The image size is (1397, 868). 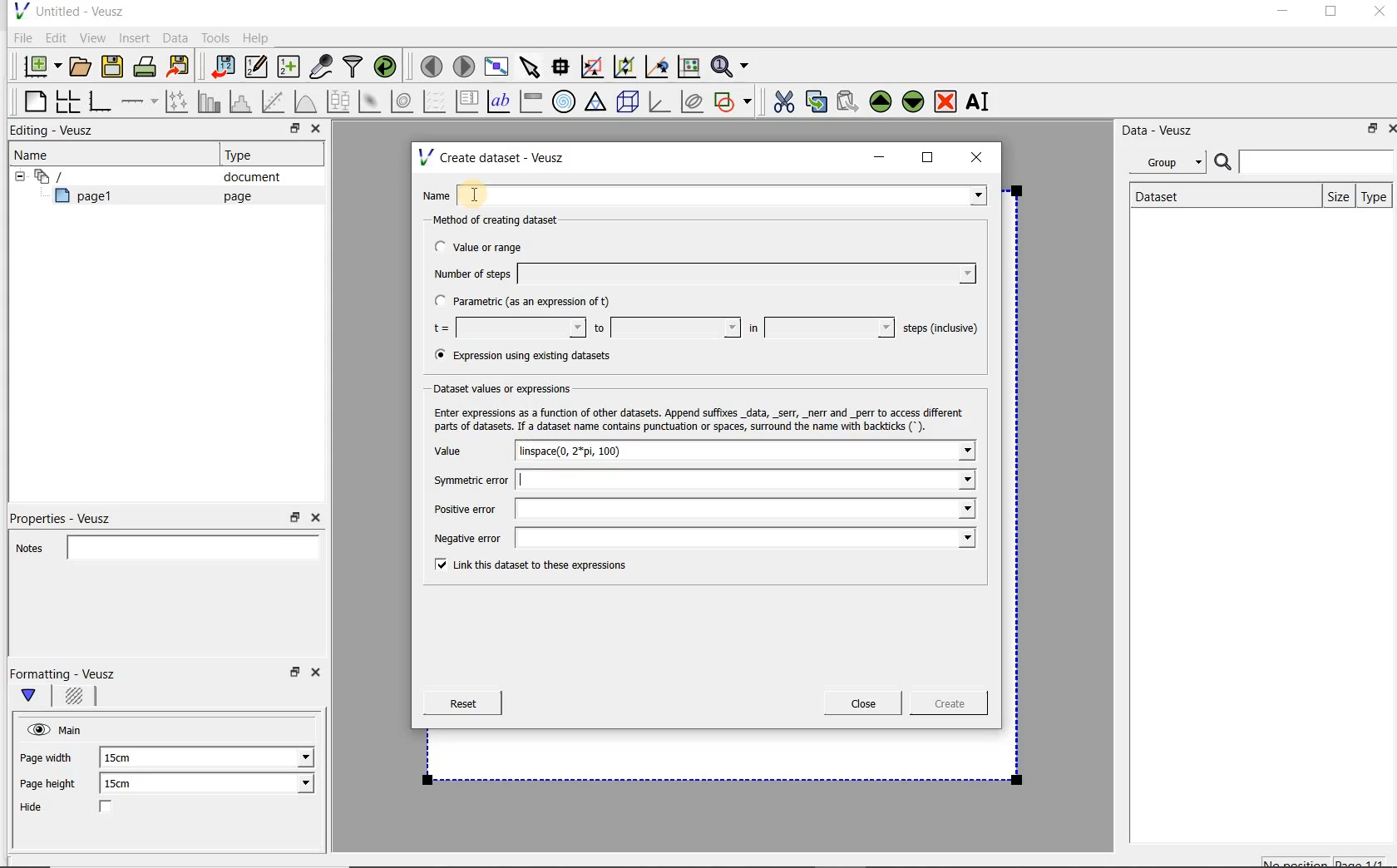 What do you see at coordinates (141, 101) in the screenshot?
I see `add an axis to a plot` at bounding box center [141, 101].